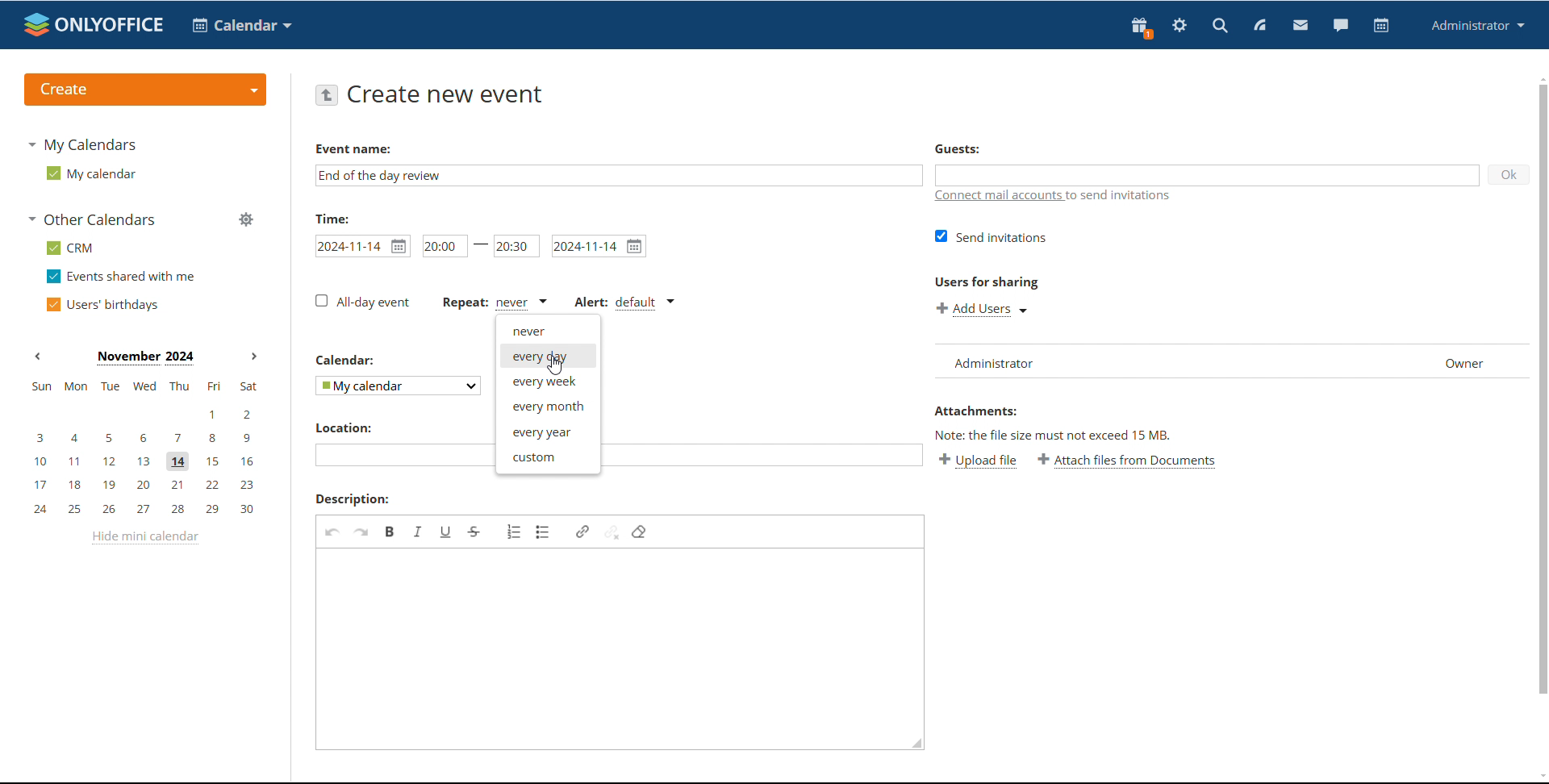 This screenshot has height=784, width=1549. What do you see at coordinates (1539, 778) in the screenshot?
I see `scroll down` at bounding box center [1539, 778].